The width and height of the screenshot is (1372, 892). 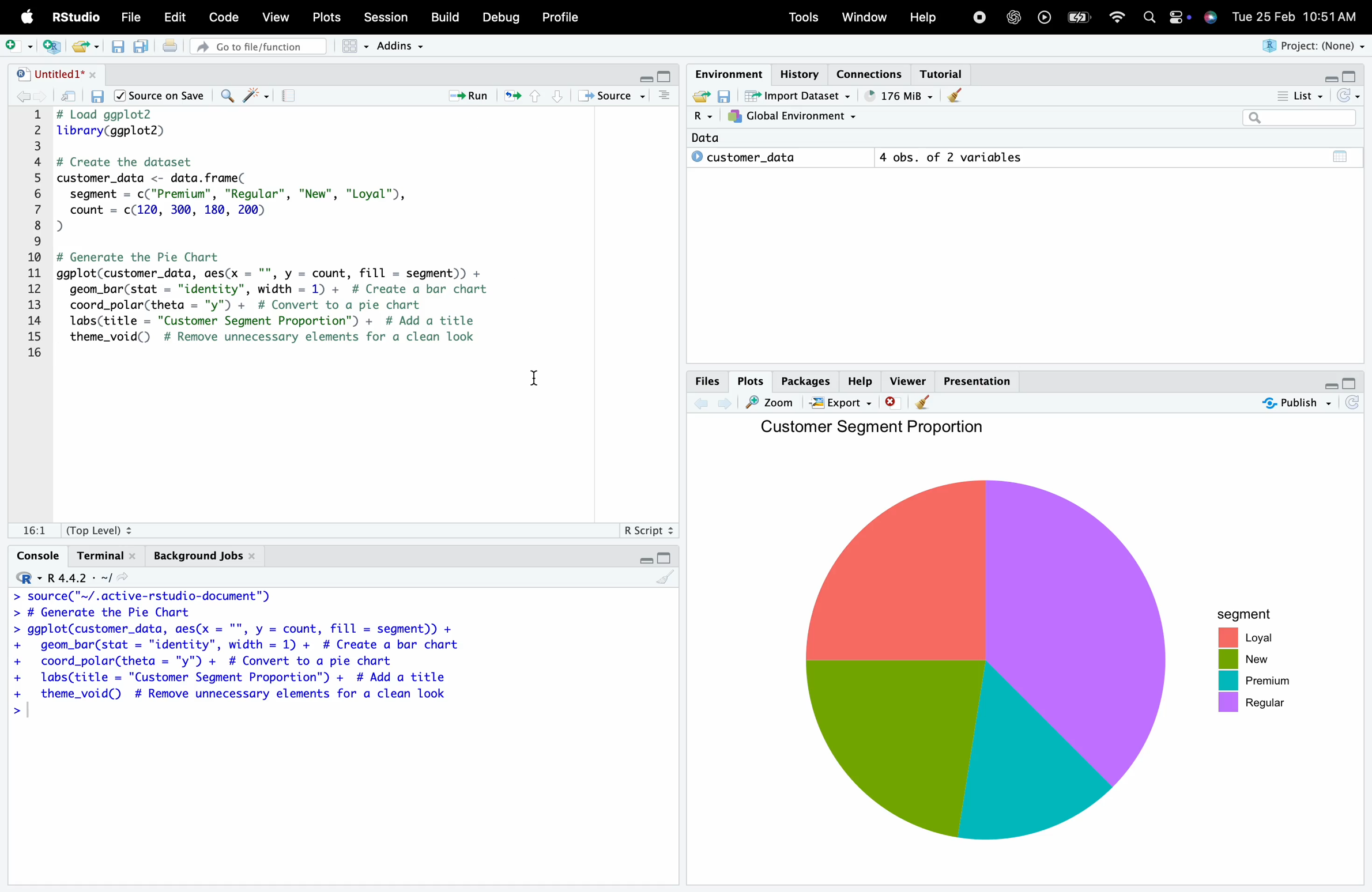 What do you see at coordinates (892, 402) in the screenshot?
I see `close` at bounding box center [892, 402].